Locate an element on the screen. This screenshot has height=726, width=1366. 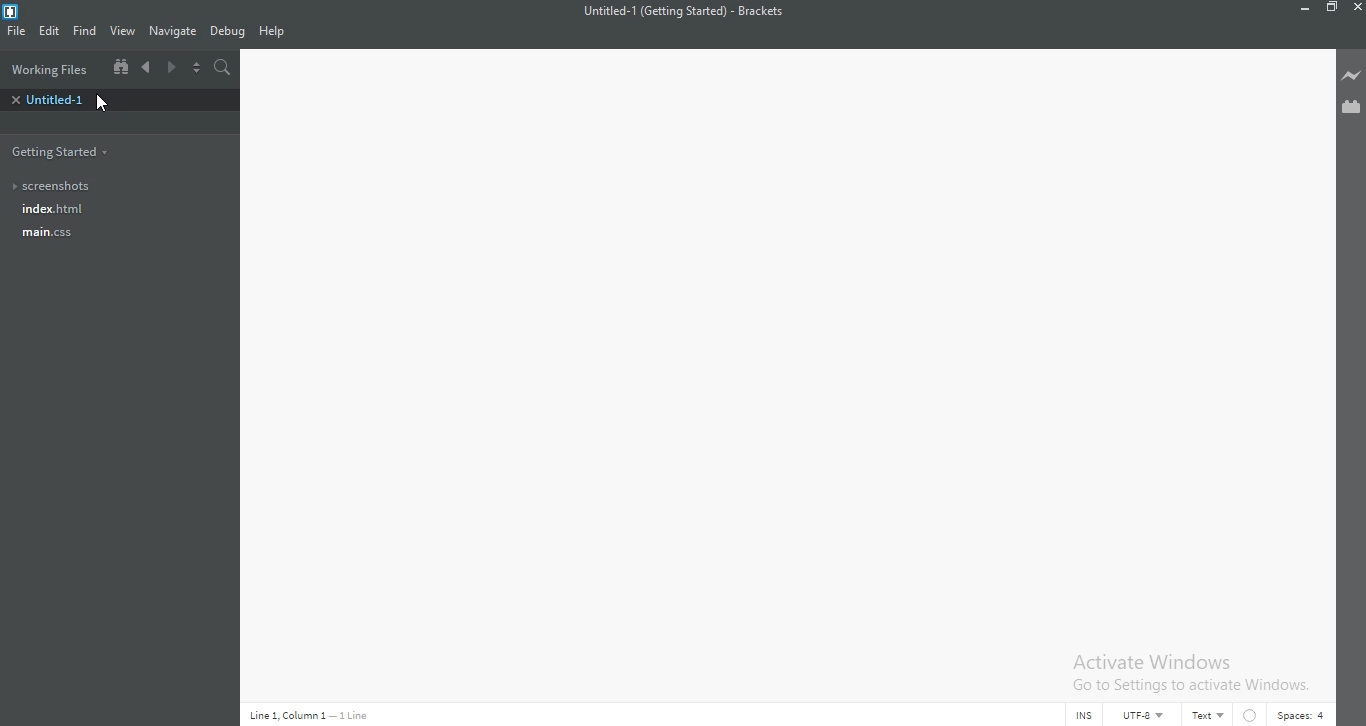
file Name is located at coordinates (647, 13).